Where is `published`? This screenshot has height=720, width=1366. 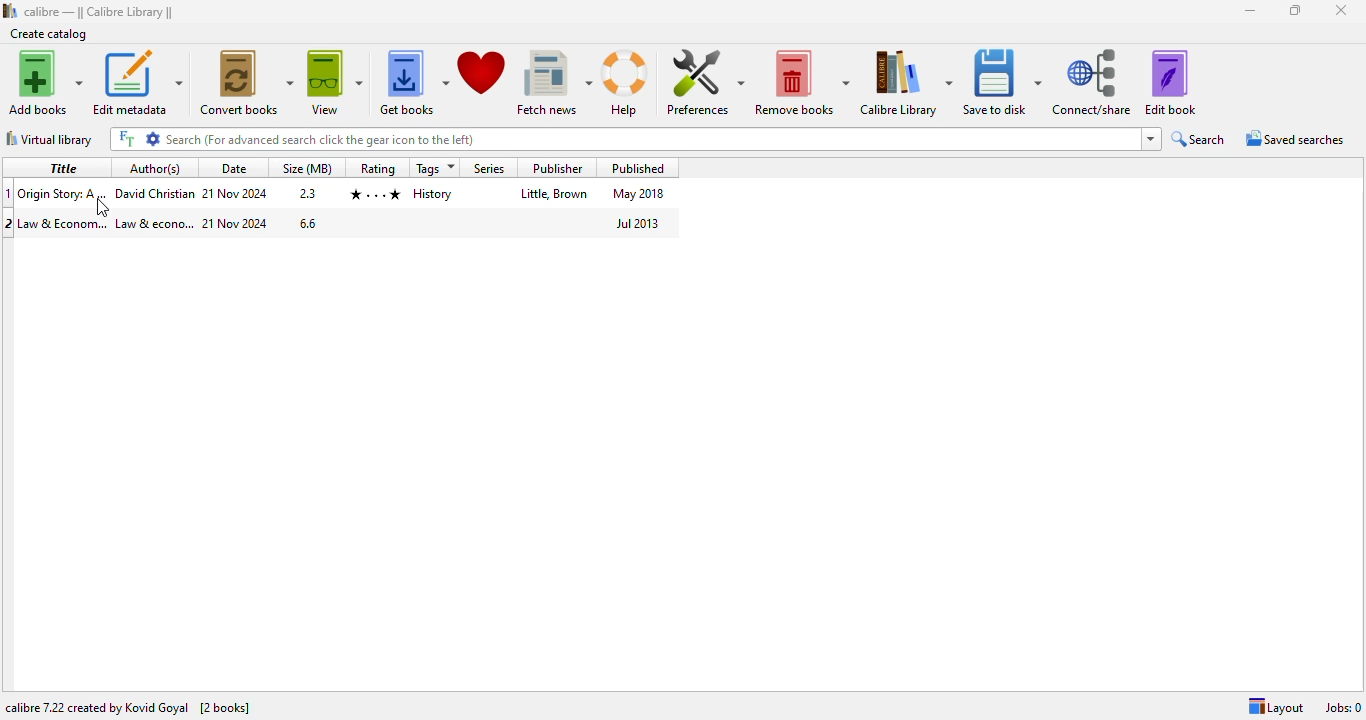 published is located at coordinates (637, 167).